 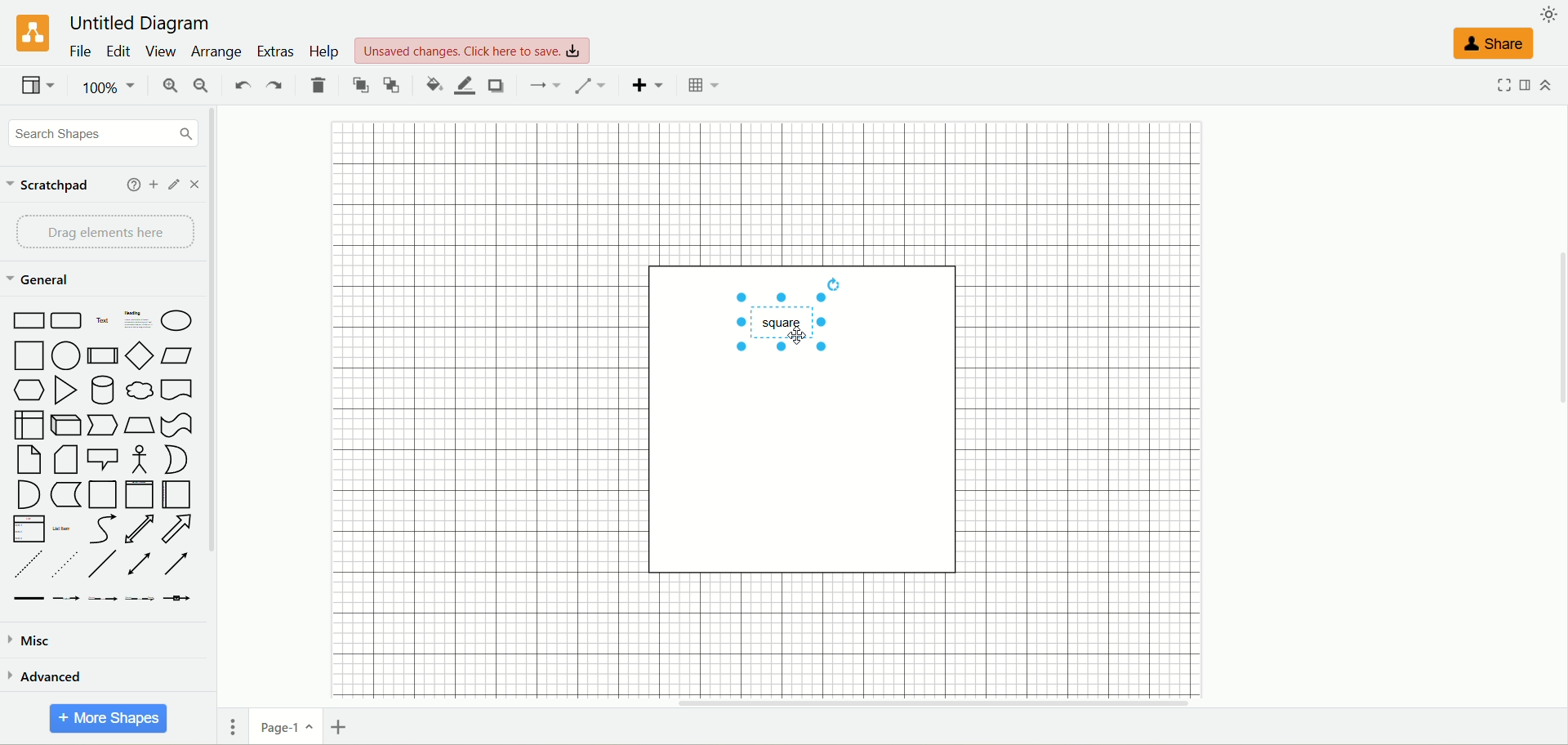 I want to click on undo, so click(x=241, y=87).